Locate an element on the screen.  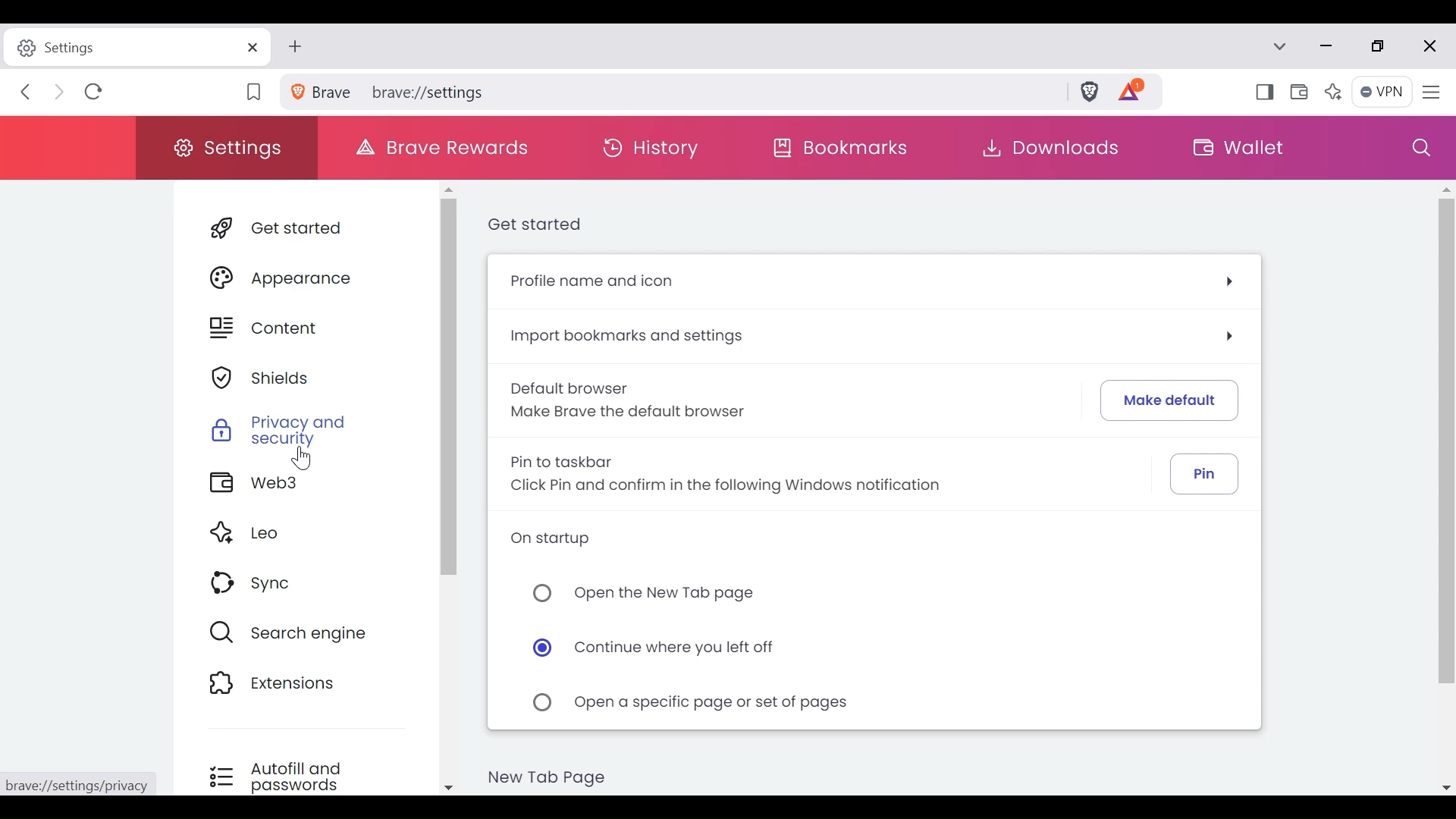
Enable/Disable Open the New Tab page is located at coordinates (661, 595).